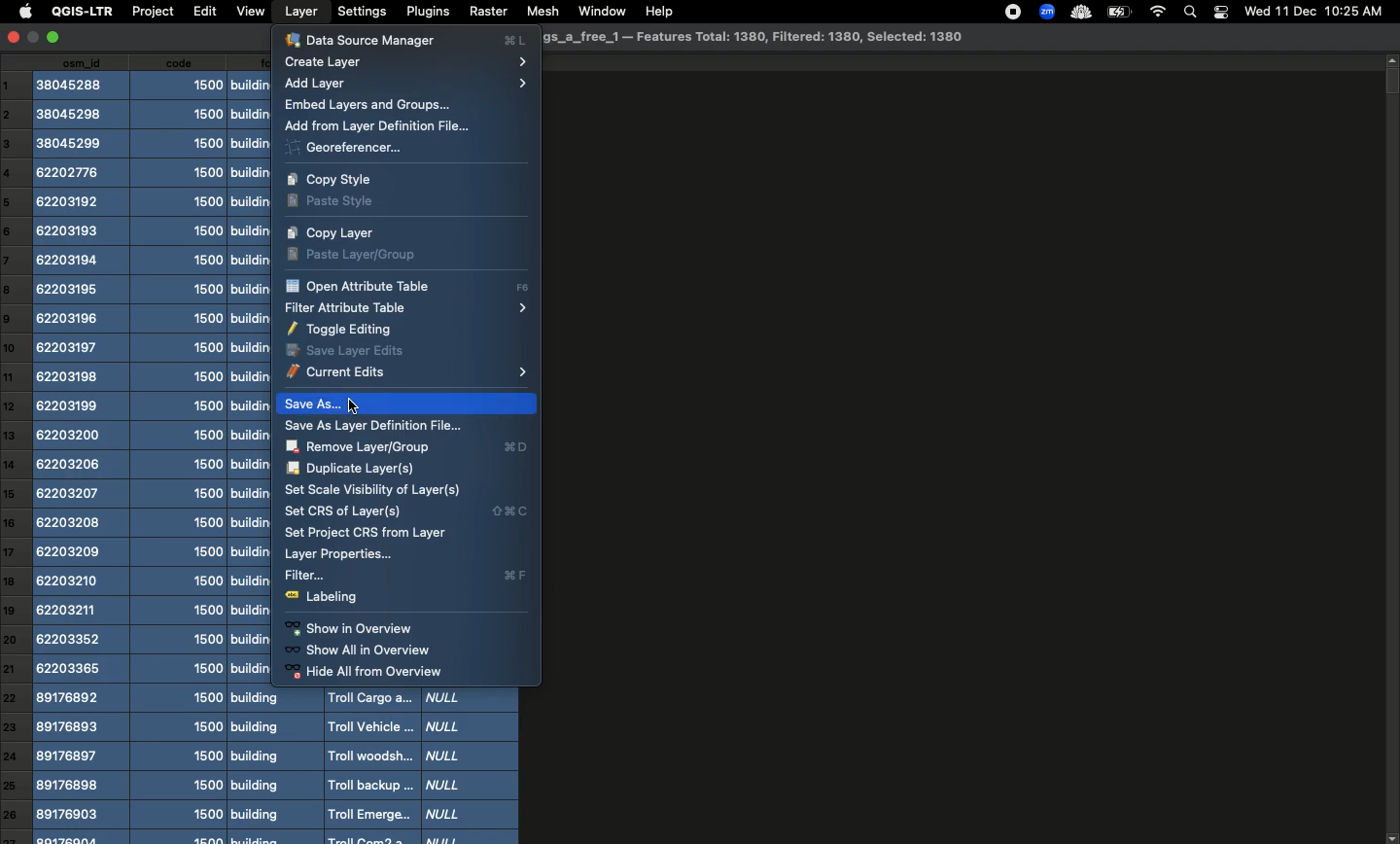 This screenshot has width=1400, height=844. What do you see at coordinates (408, 84) in the screenshot?
I see `Add layer` at bounding box center [408, 84].